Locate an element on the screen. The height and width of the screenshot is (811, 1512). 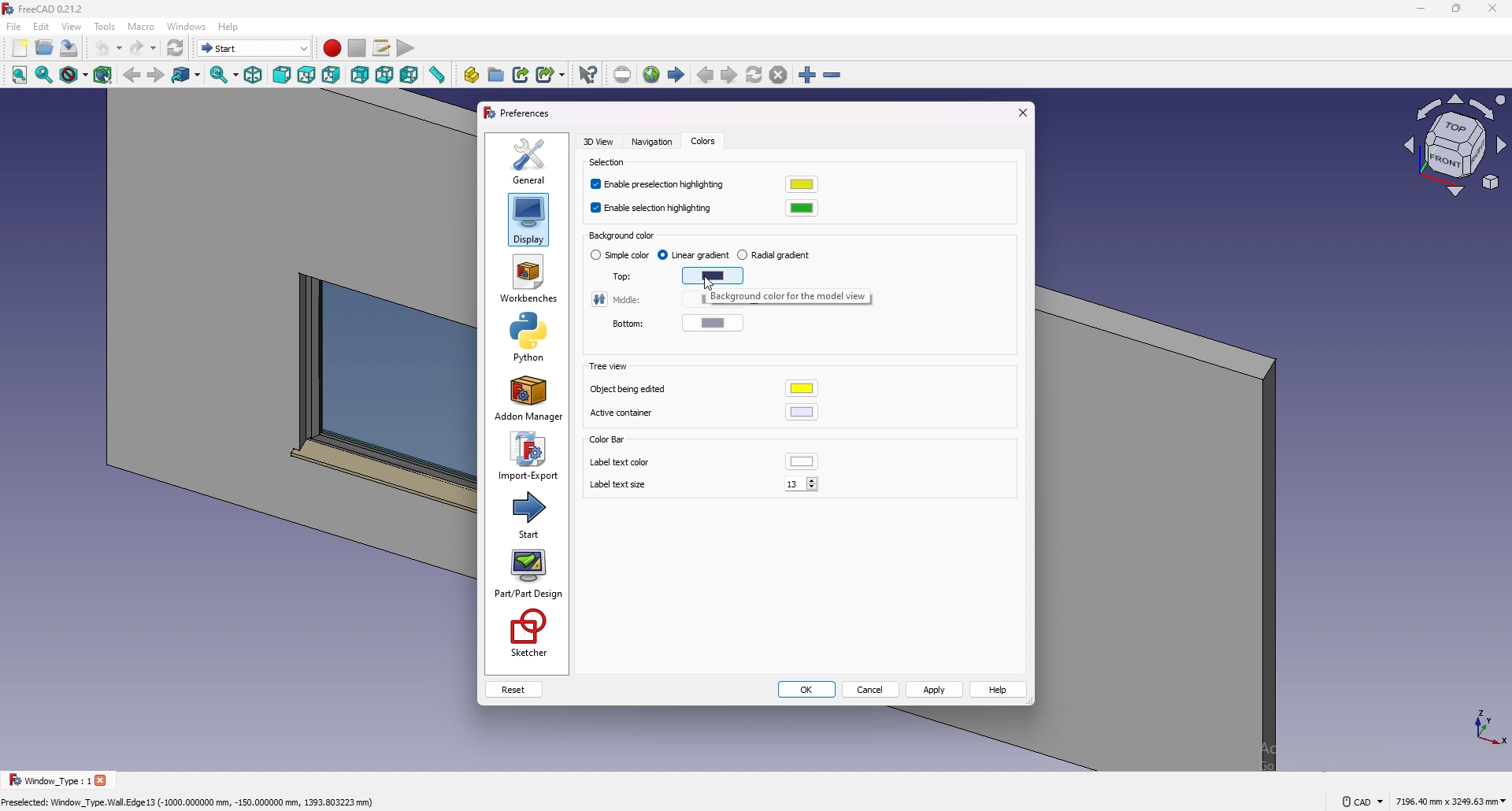
enable selection highlighting is located at coordinates (654, 209).